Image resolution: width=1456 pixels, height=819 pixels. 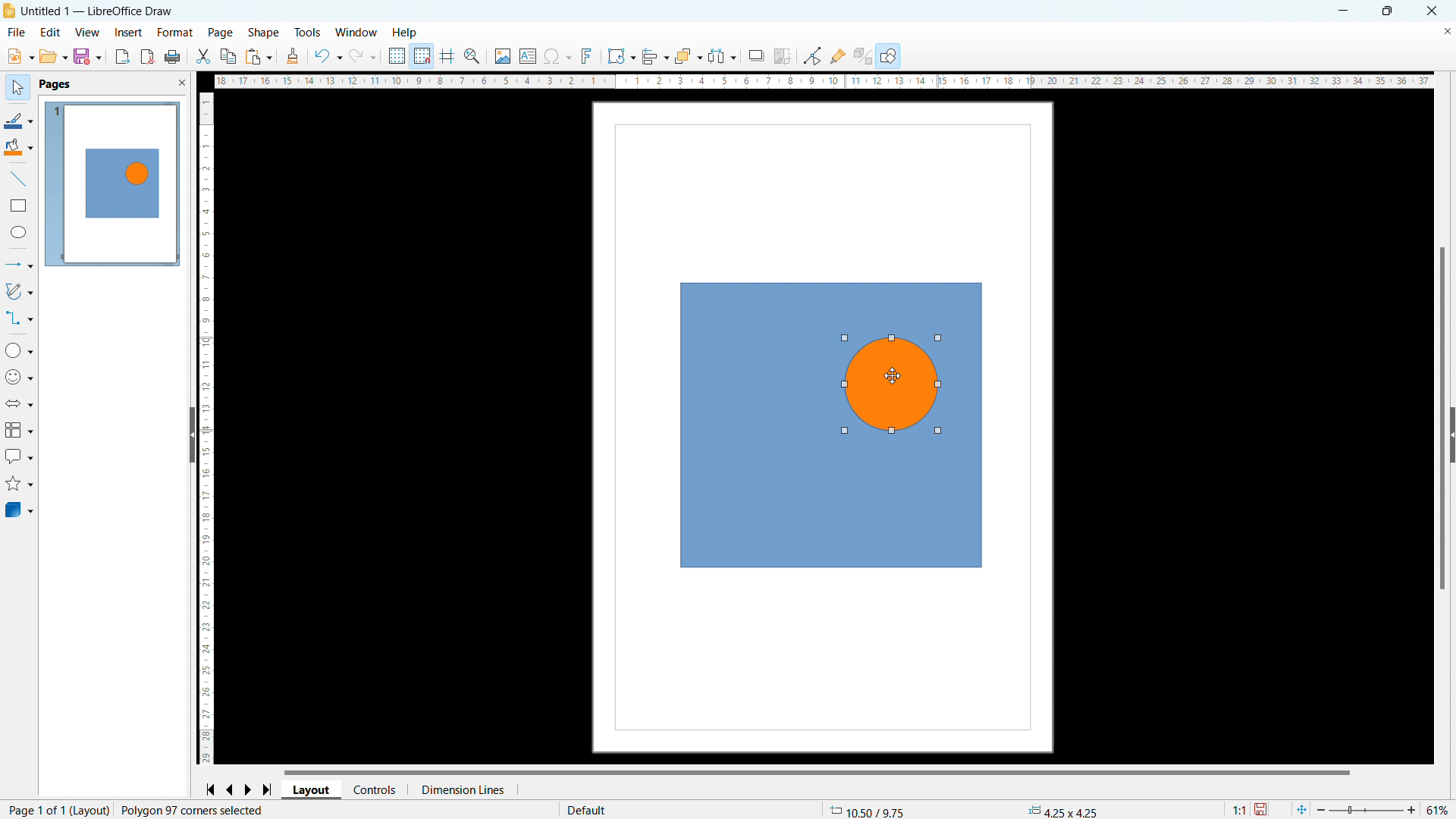 What do you see at coordinates (98, 11) in the screenshot?
I see `Untitled 1 - LibreOffice Draw` at bounding box center [98, 11].